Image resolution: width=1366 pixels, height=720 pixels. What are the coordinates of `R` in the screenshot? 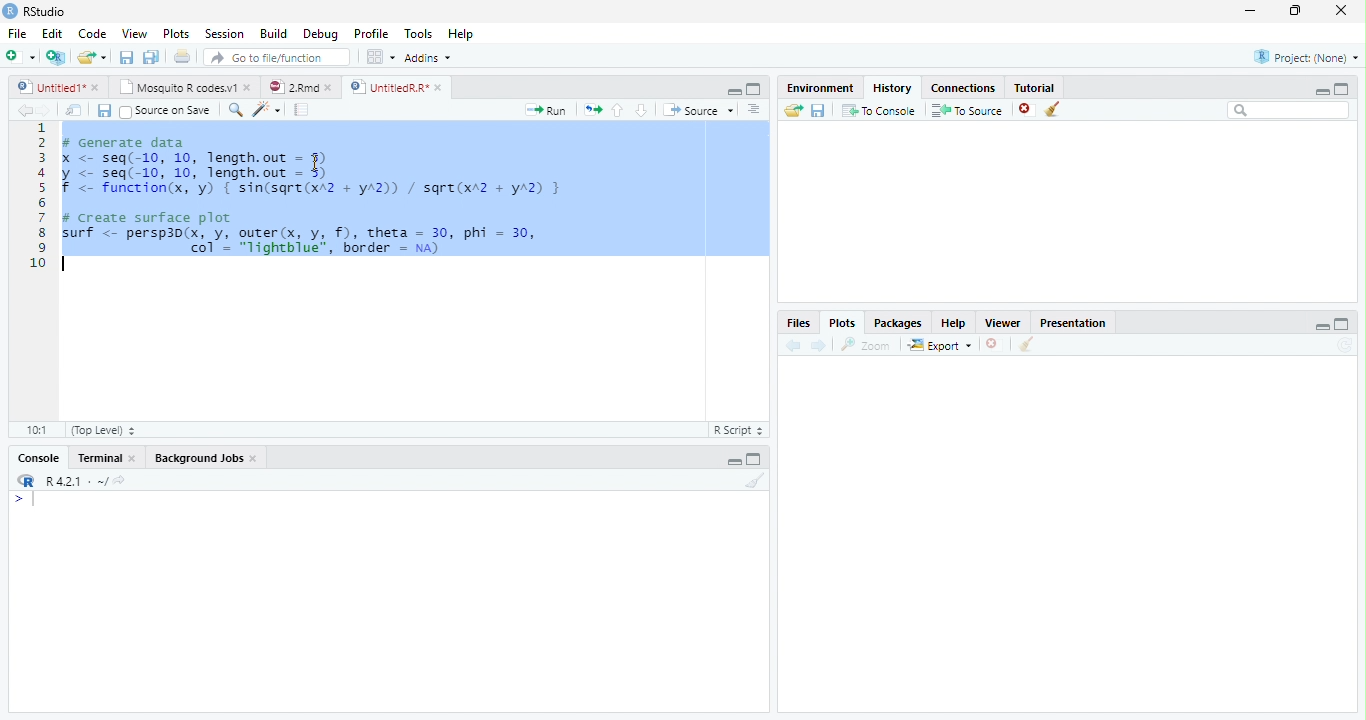 It's located at (24, 480).